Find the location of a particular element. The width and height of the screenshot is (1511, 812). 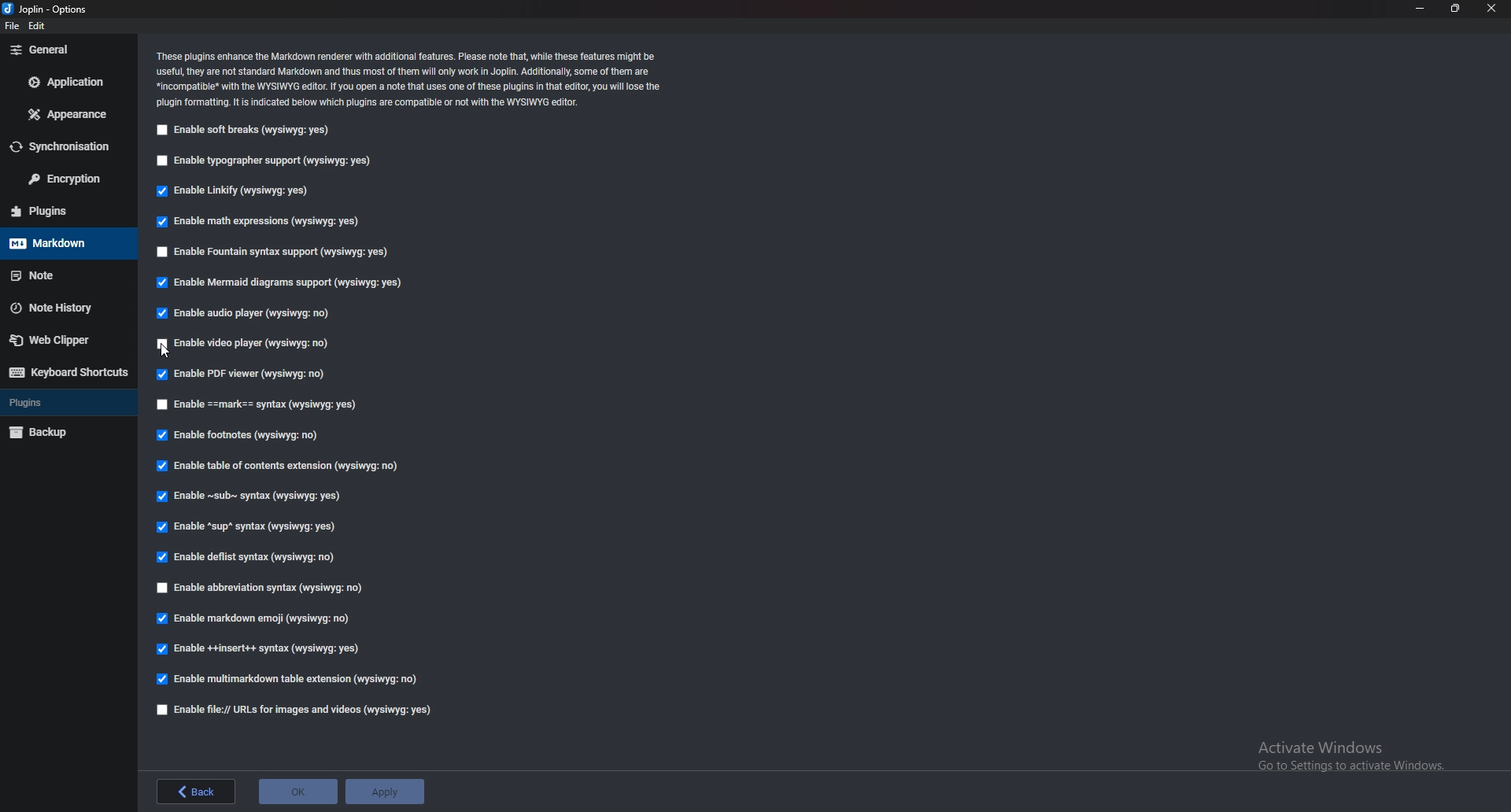

enable footnotes is located at coordinates (241, 436).